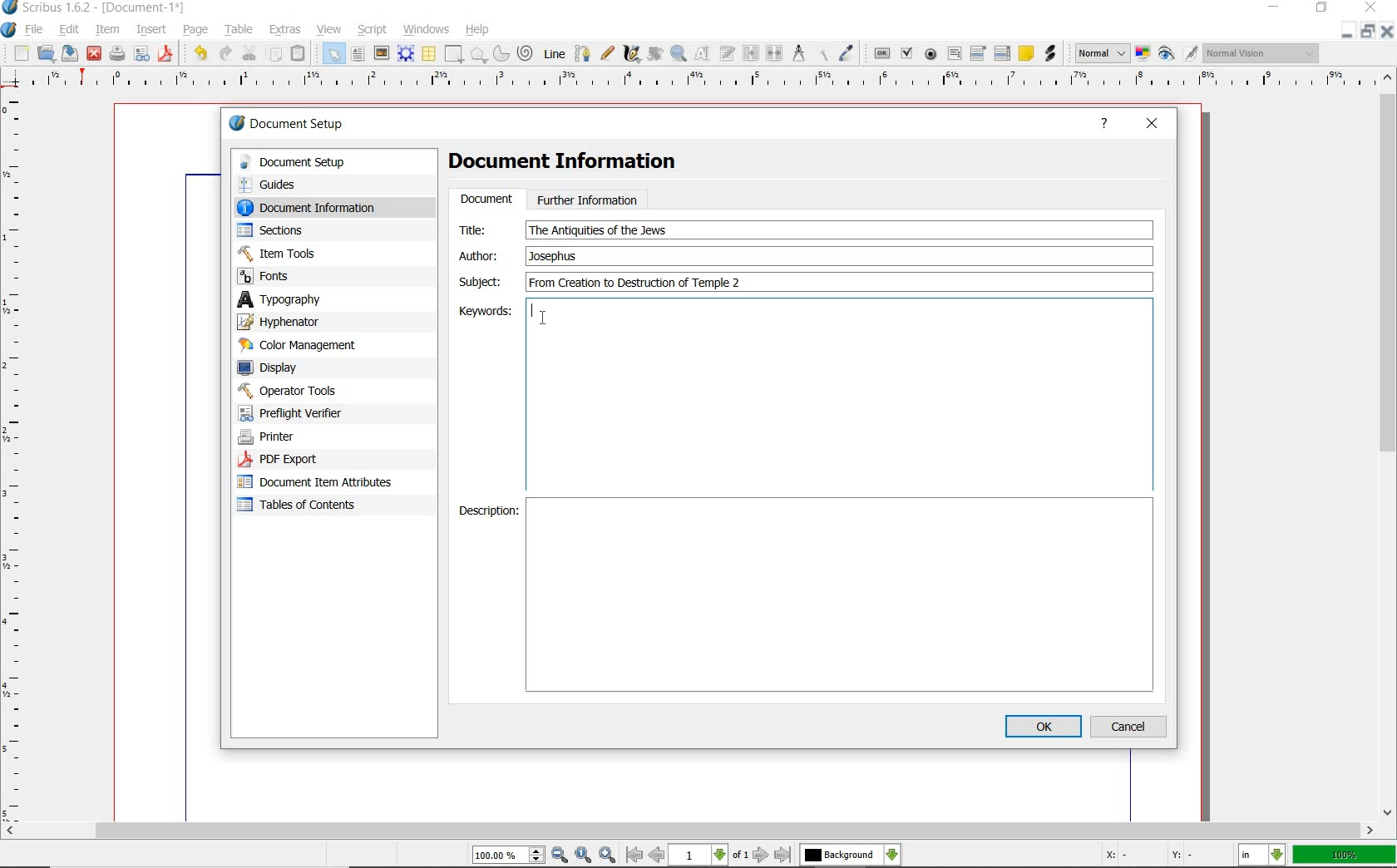 The image size is (1397, 868). What do you see at coordinates (70, 29) in the screenshot?
I see `edit` at bounding box center [70, 29].